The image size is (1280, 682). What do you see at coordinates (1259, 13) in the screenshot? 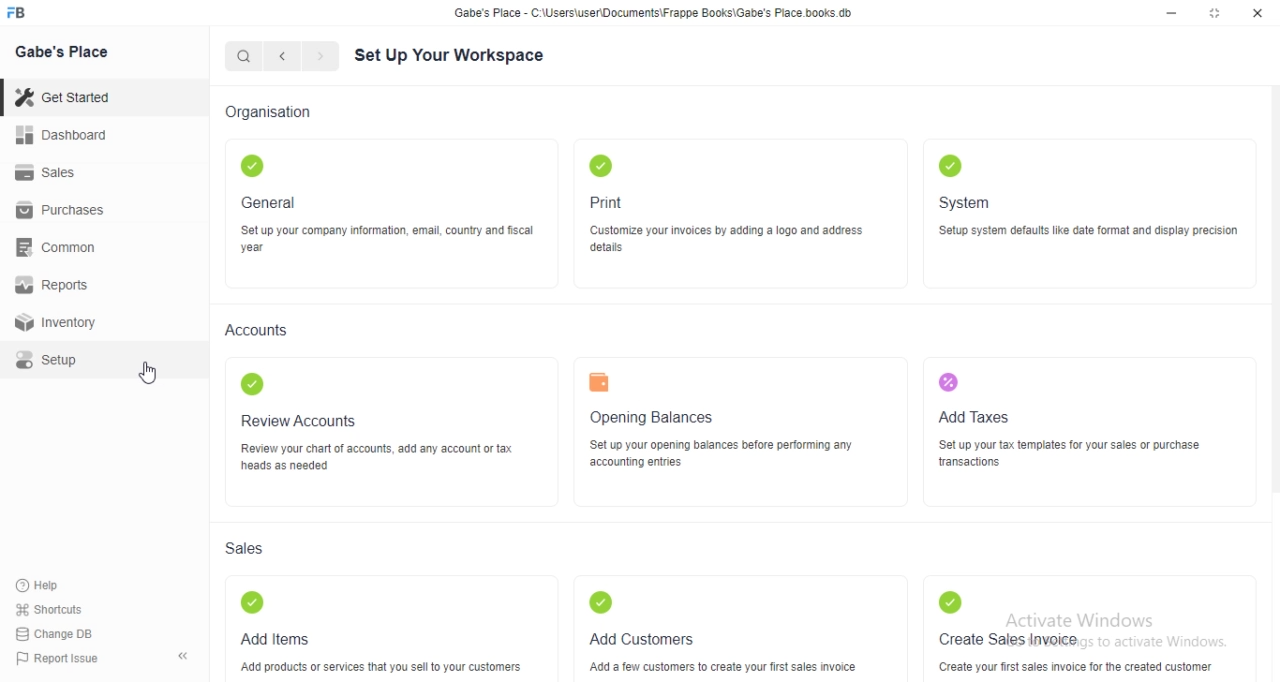
I see `close` at bounding box center [1259, 13].